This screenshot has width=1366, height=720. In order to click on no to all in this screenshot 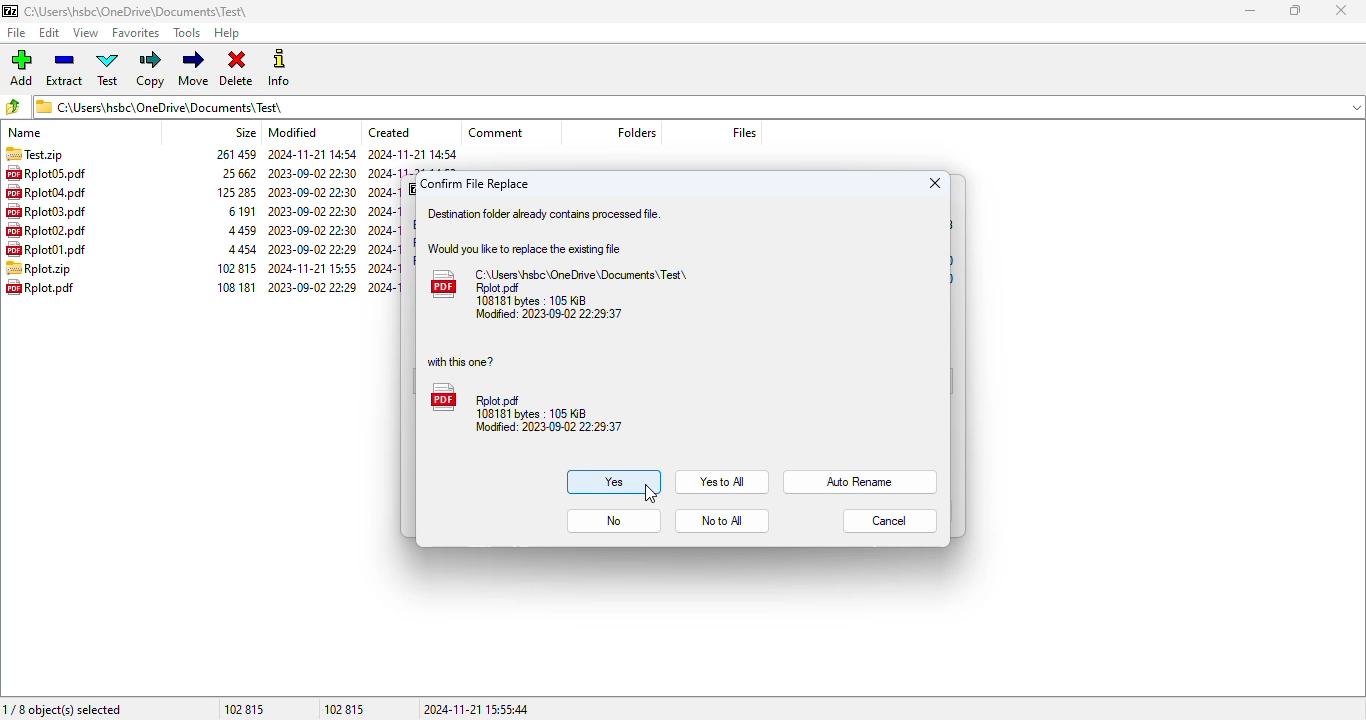, I will do `click(721, 522)`.